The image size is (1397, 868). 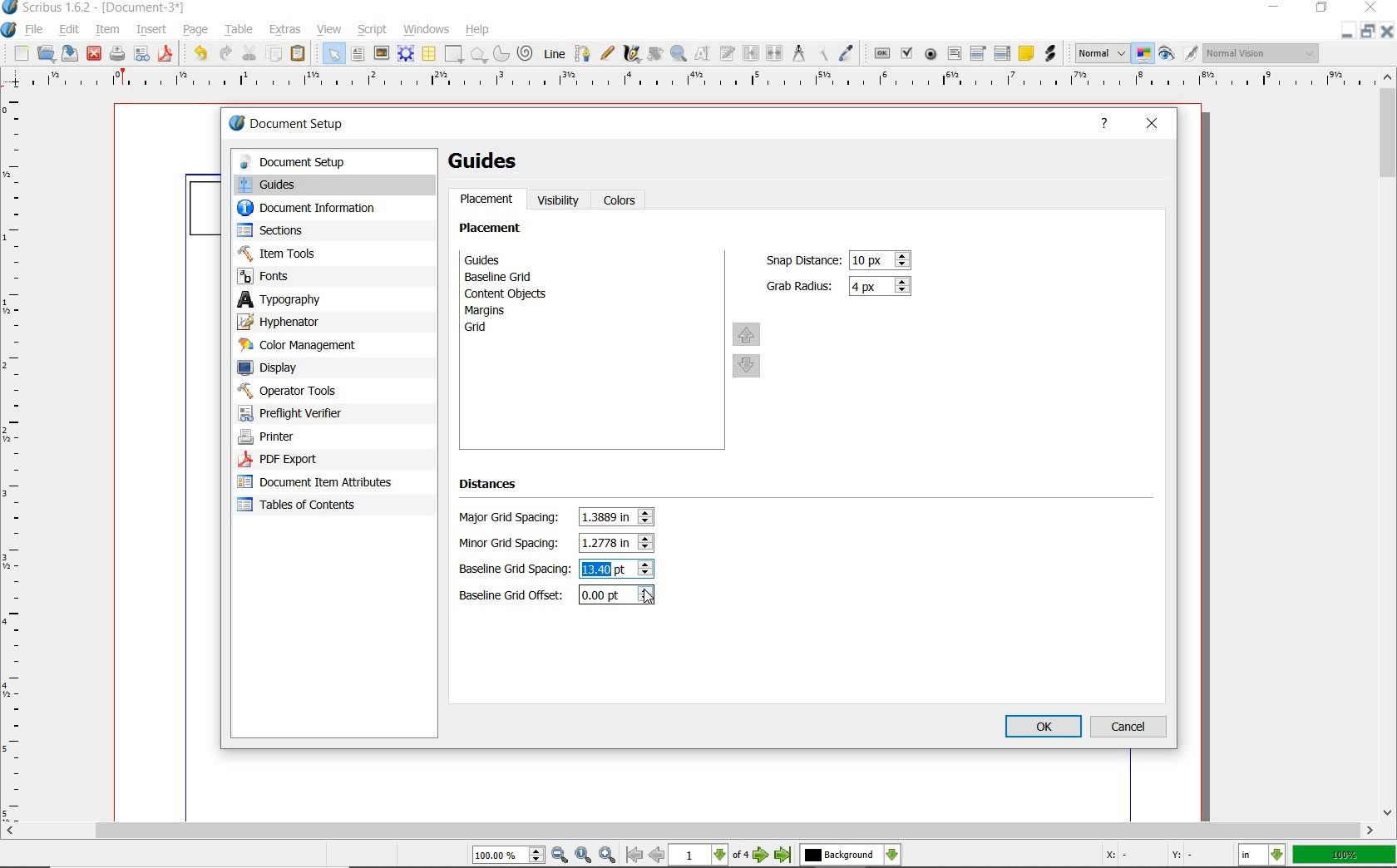 I want to click on pdf text field, so click(x=955, y=53).